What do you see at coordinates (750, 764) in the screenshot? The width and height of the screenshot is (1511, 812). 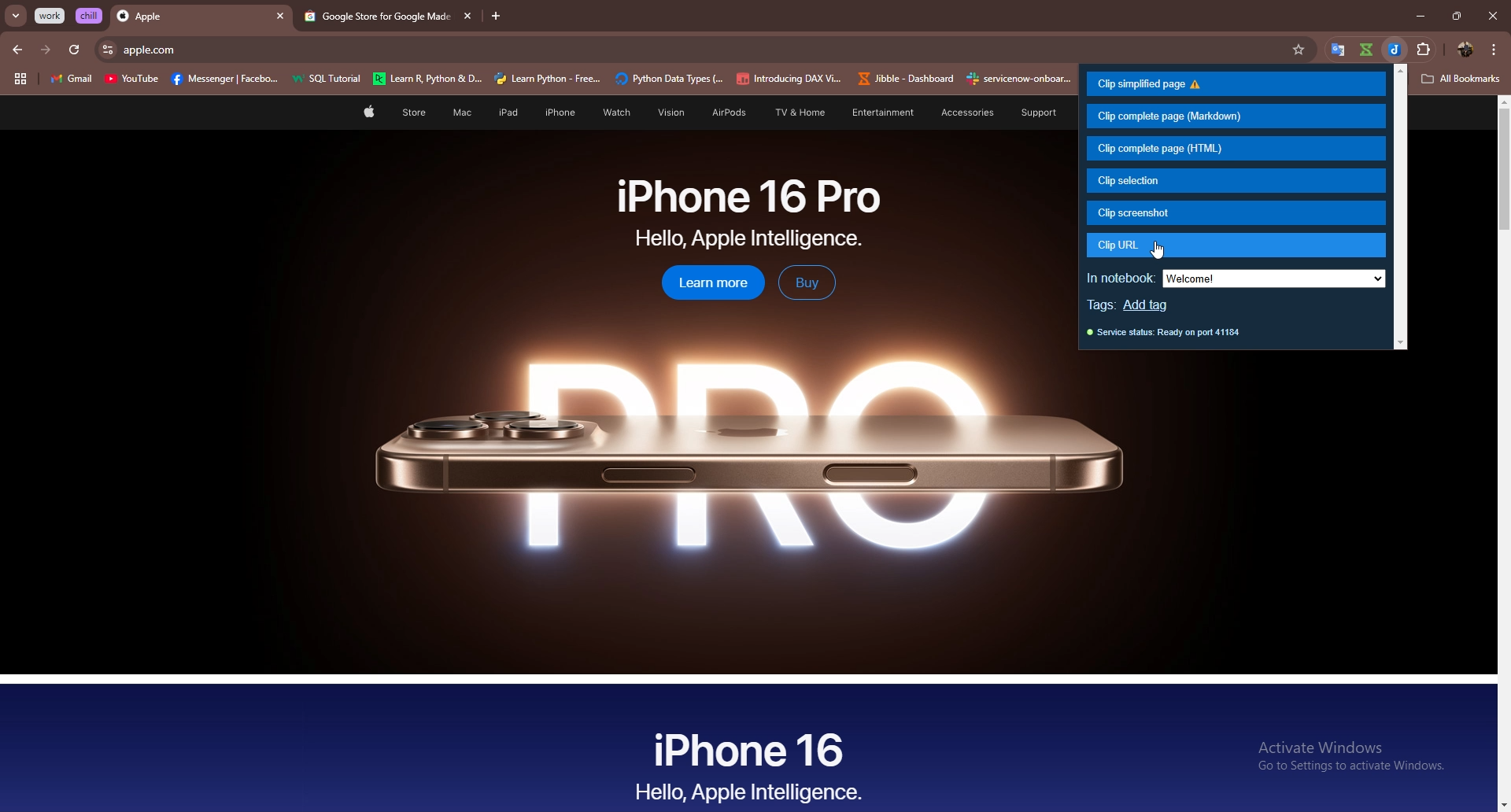 I see `iPhone 16
Hello, Apple Intelligence.` at bounding box center [750, 764].